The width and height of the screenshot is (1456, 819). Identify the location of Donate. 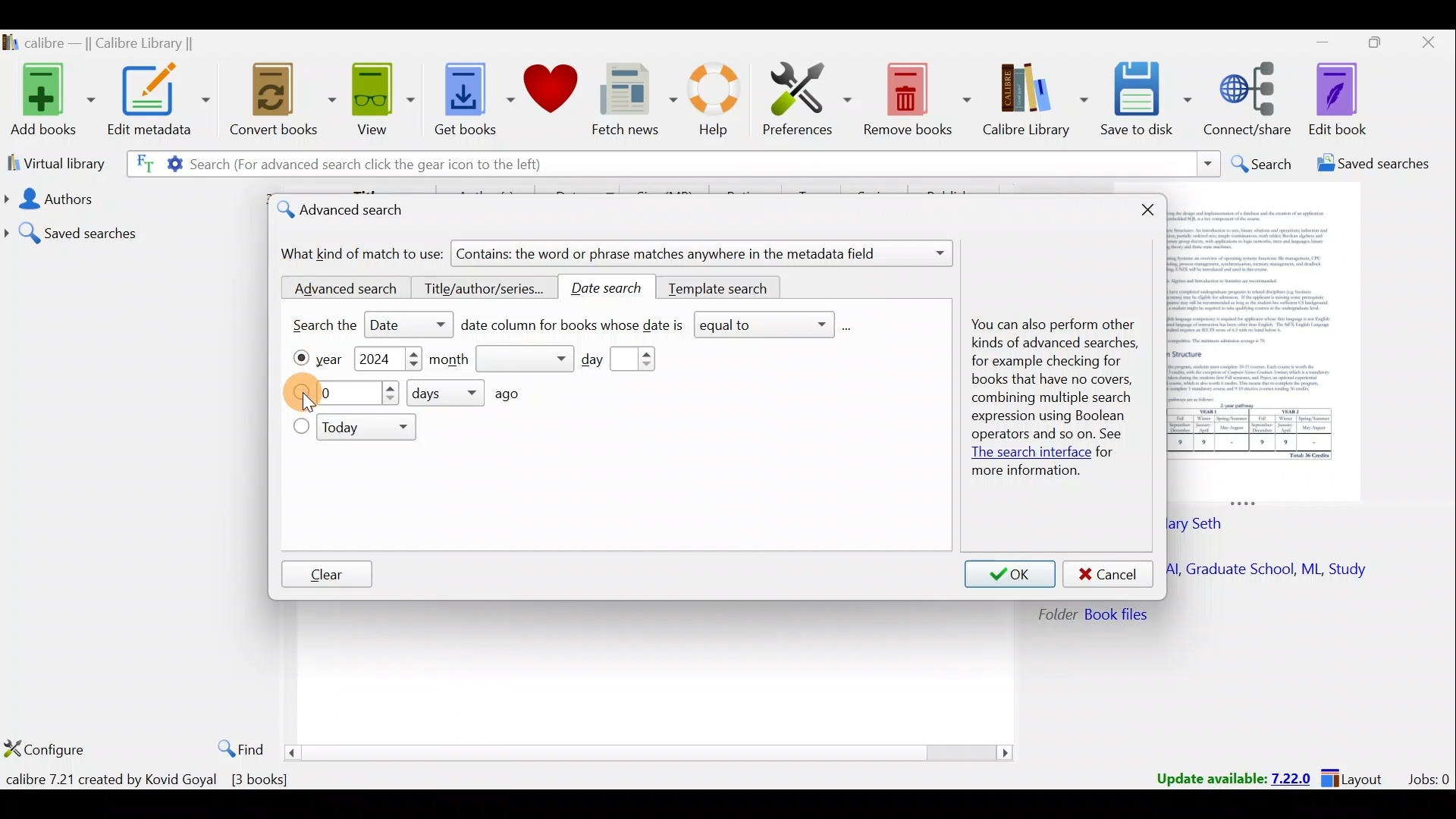
(550, 91).